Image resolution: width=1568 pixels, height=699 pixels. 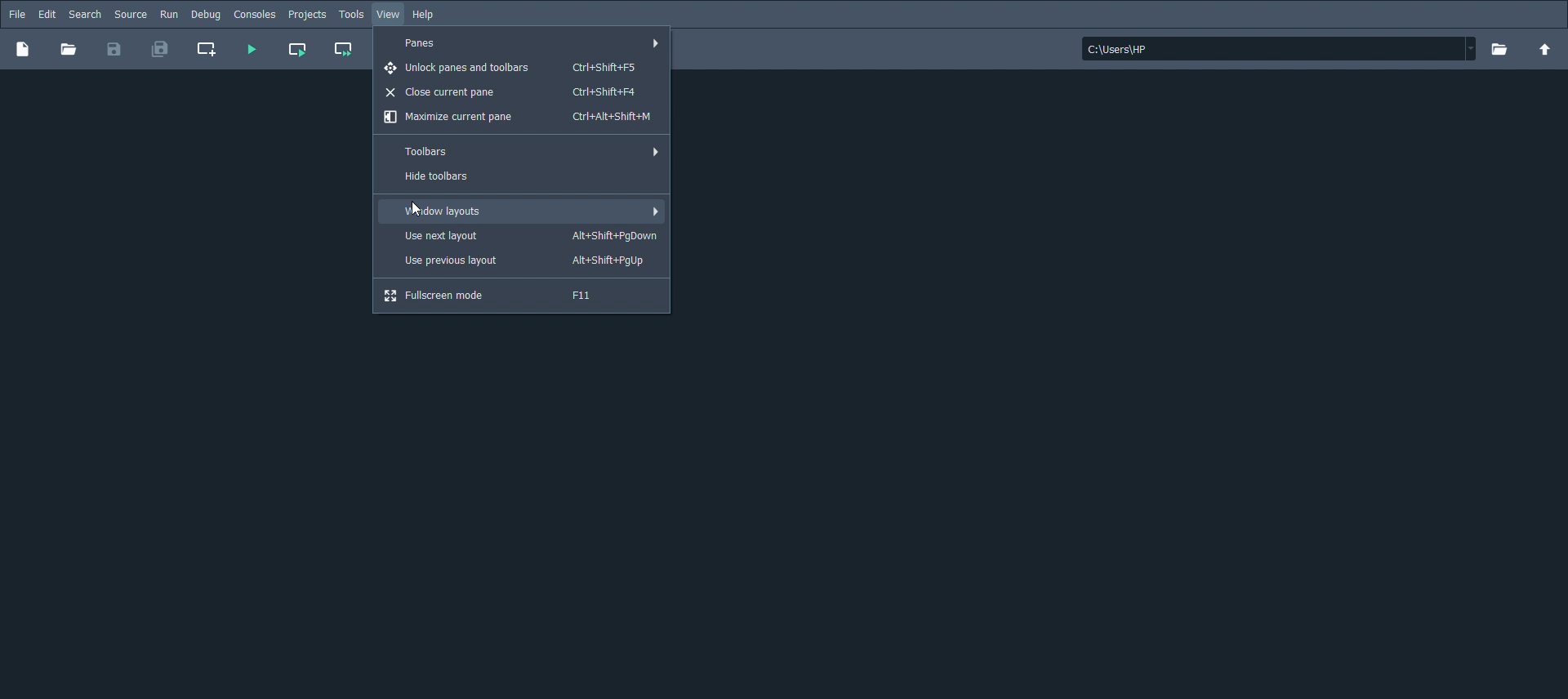 What do you see at coordinates (512, 91) in the screenshot?
I see `Close current pane` at bounding box center [512, 91].